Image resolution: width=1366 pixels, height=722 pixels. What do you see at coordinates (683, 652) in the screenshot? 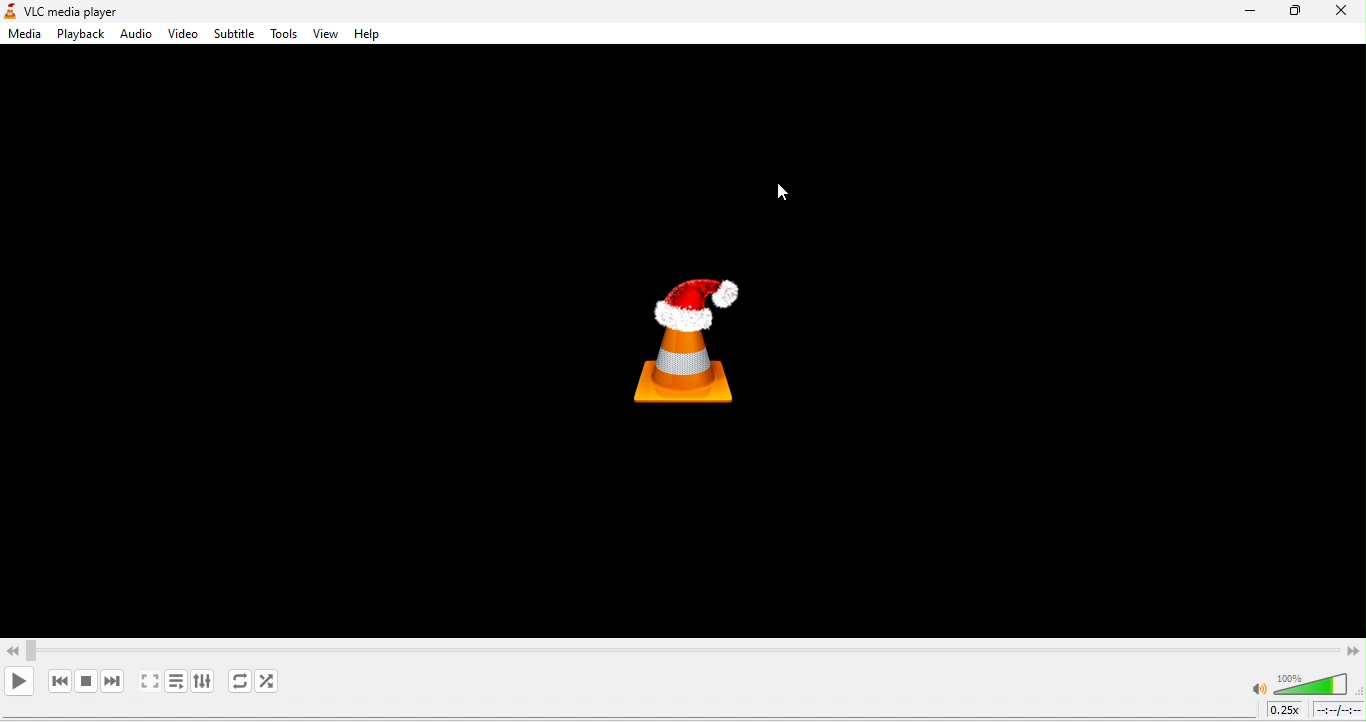
I see `Video Scrollbar` at bounding box center [683, 652].